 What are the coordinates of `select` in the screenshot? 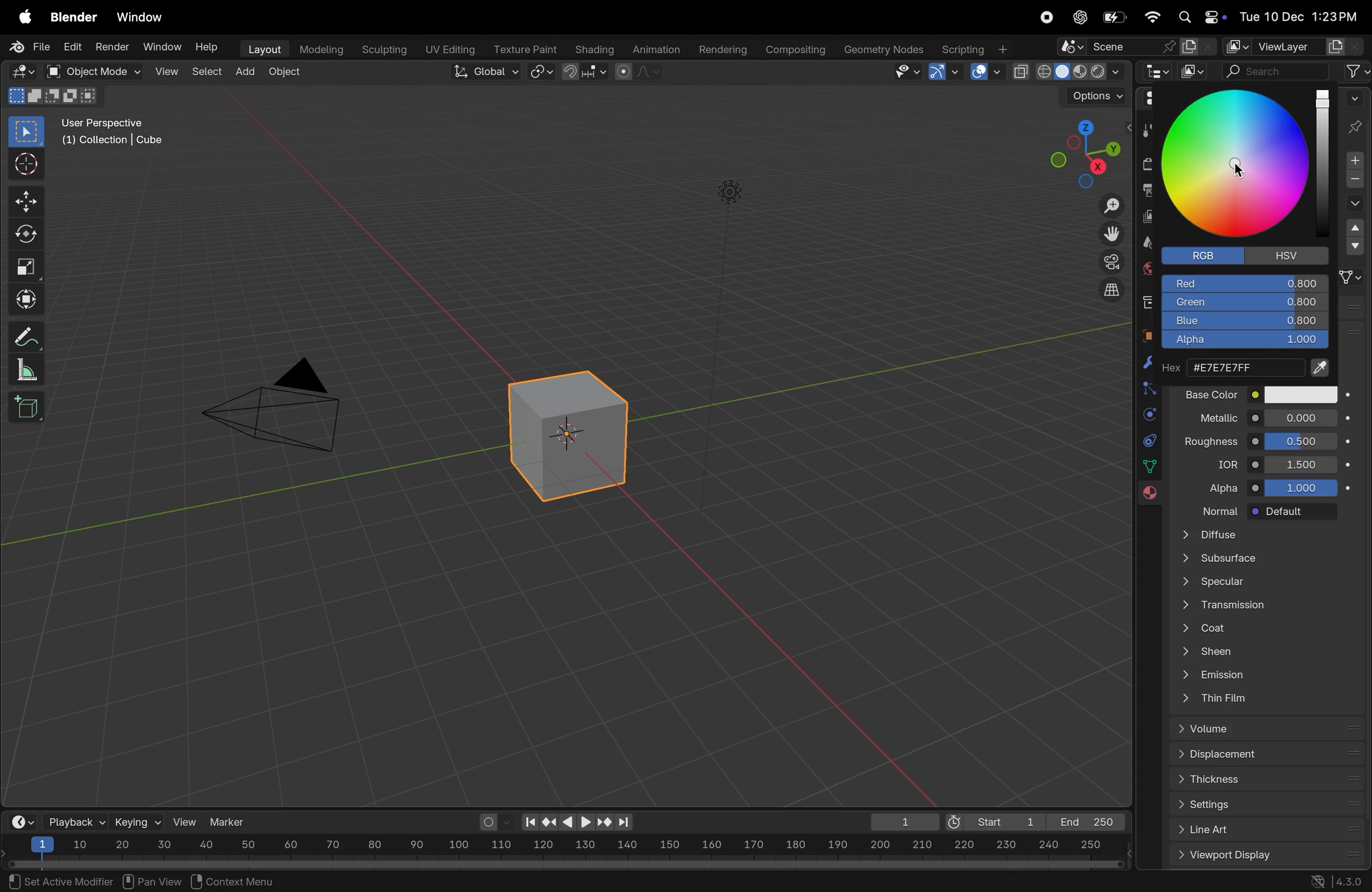 It's located at (205, 71).